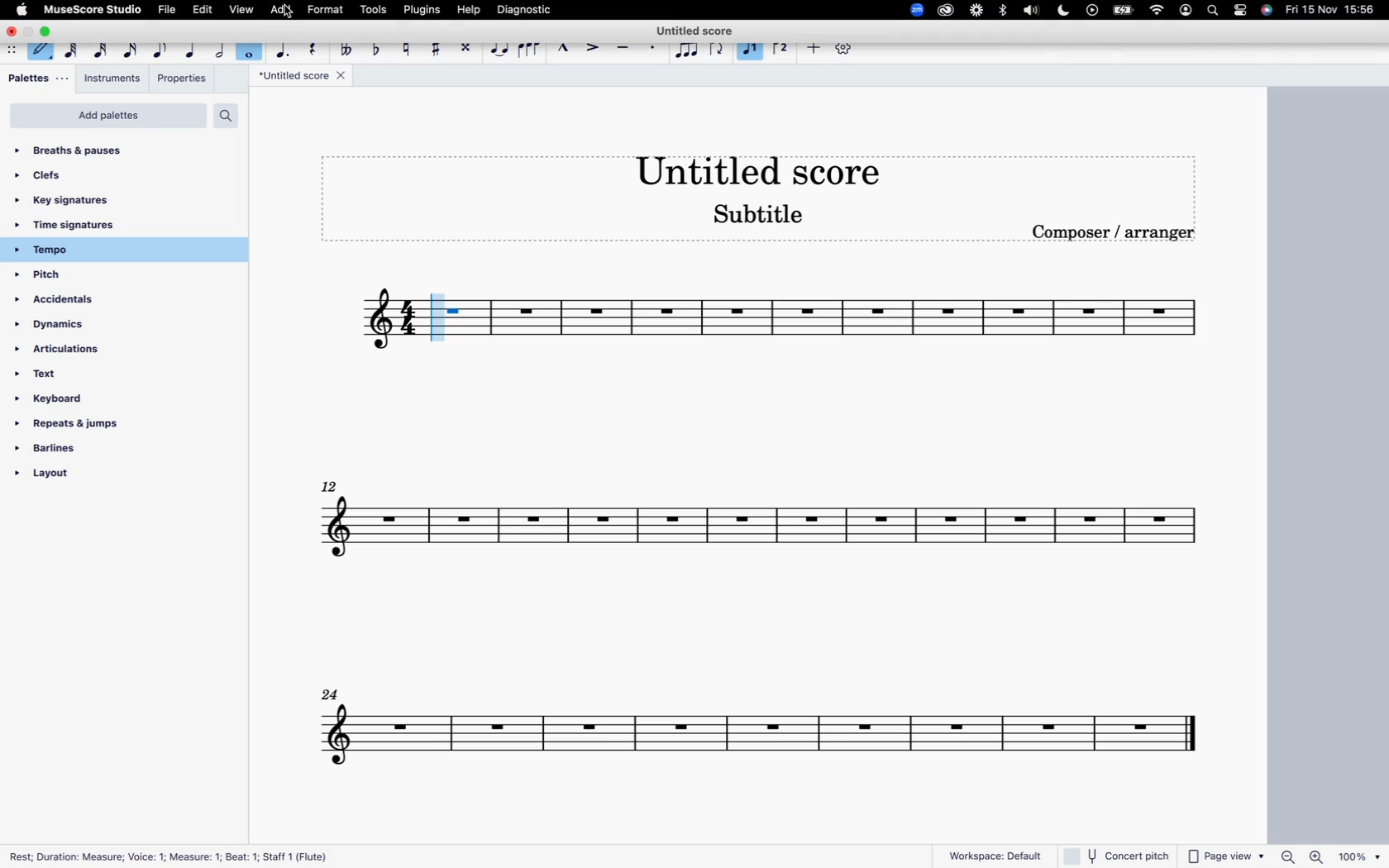 The height and width of the screenshot is (868, 1389). What do you see at coordinates (405, 46) in the screenshot?
I see `toggle natural` at bounding box center [405, 46].